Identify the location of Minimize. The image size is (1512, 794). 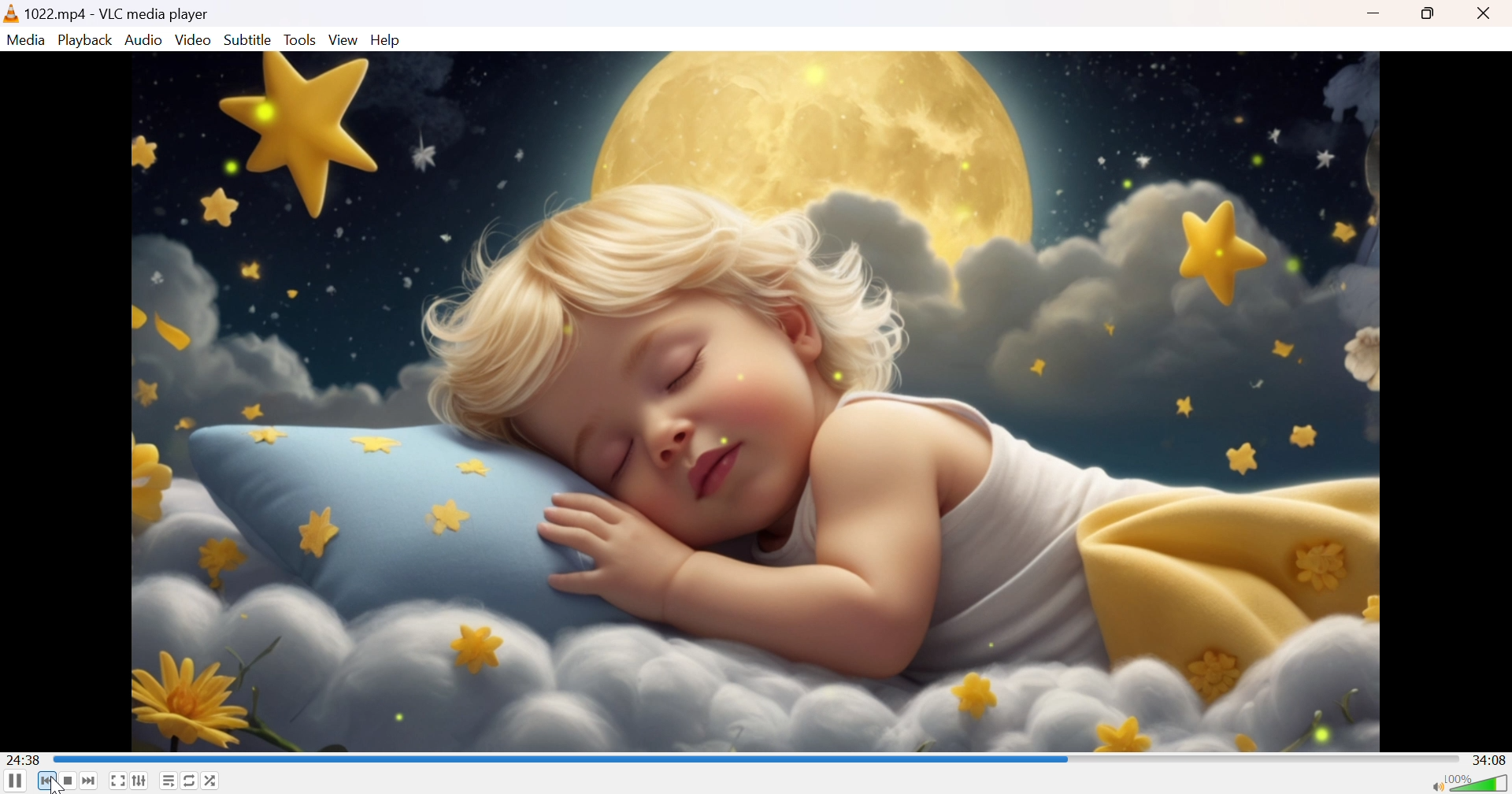
(1373, 15).